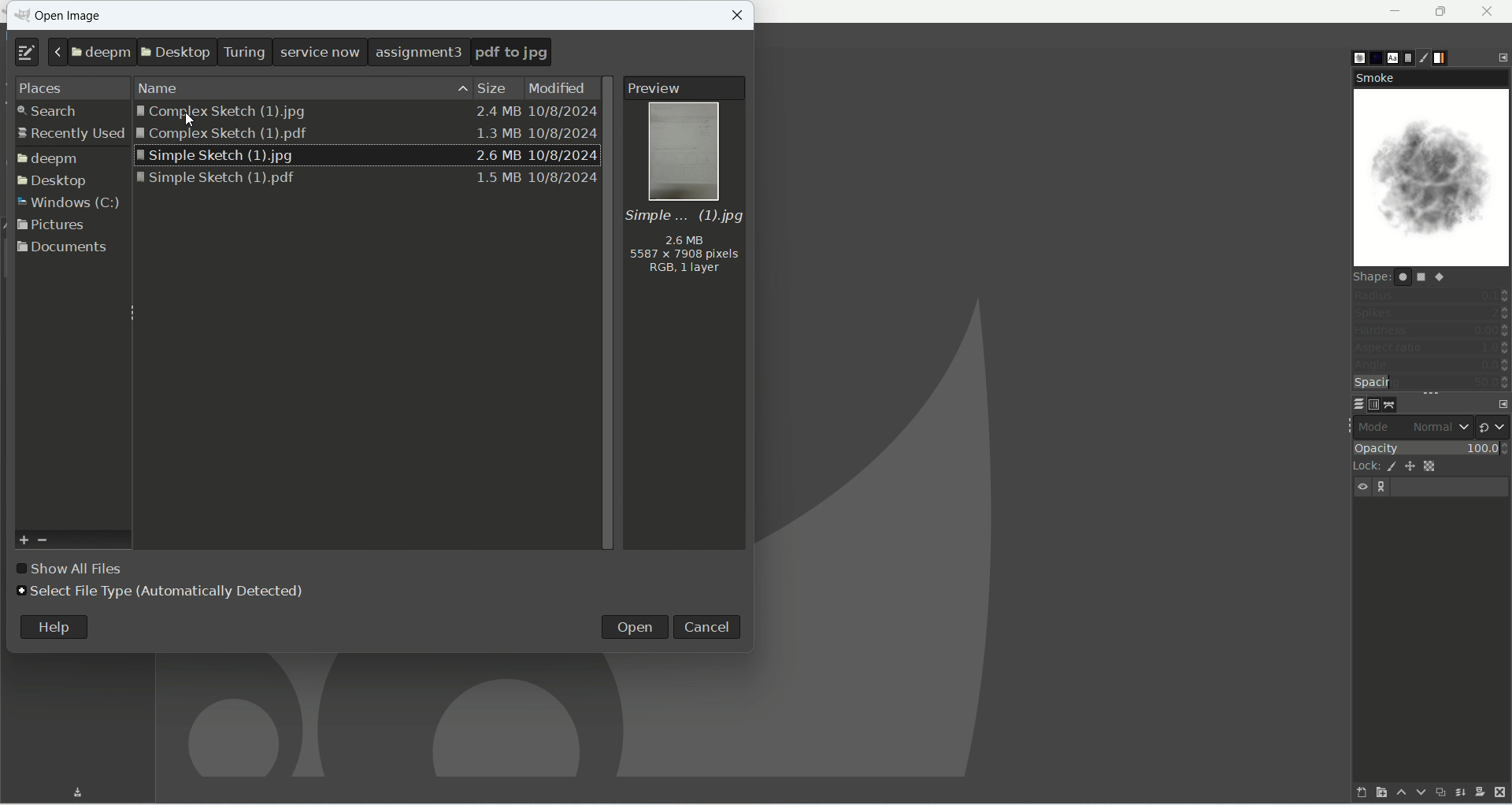 The width and height of the screenshot is (1512, 805). Describe the element at coordinates (1491, 9) in the screenshot. I see `close` at that location.